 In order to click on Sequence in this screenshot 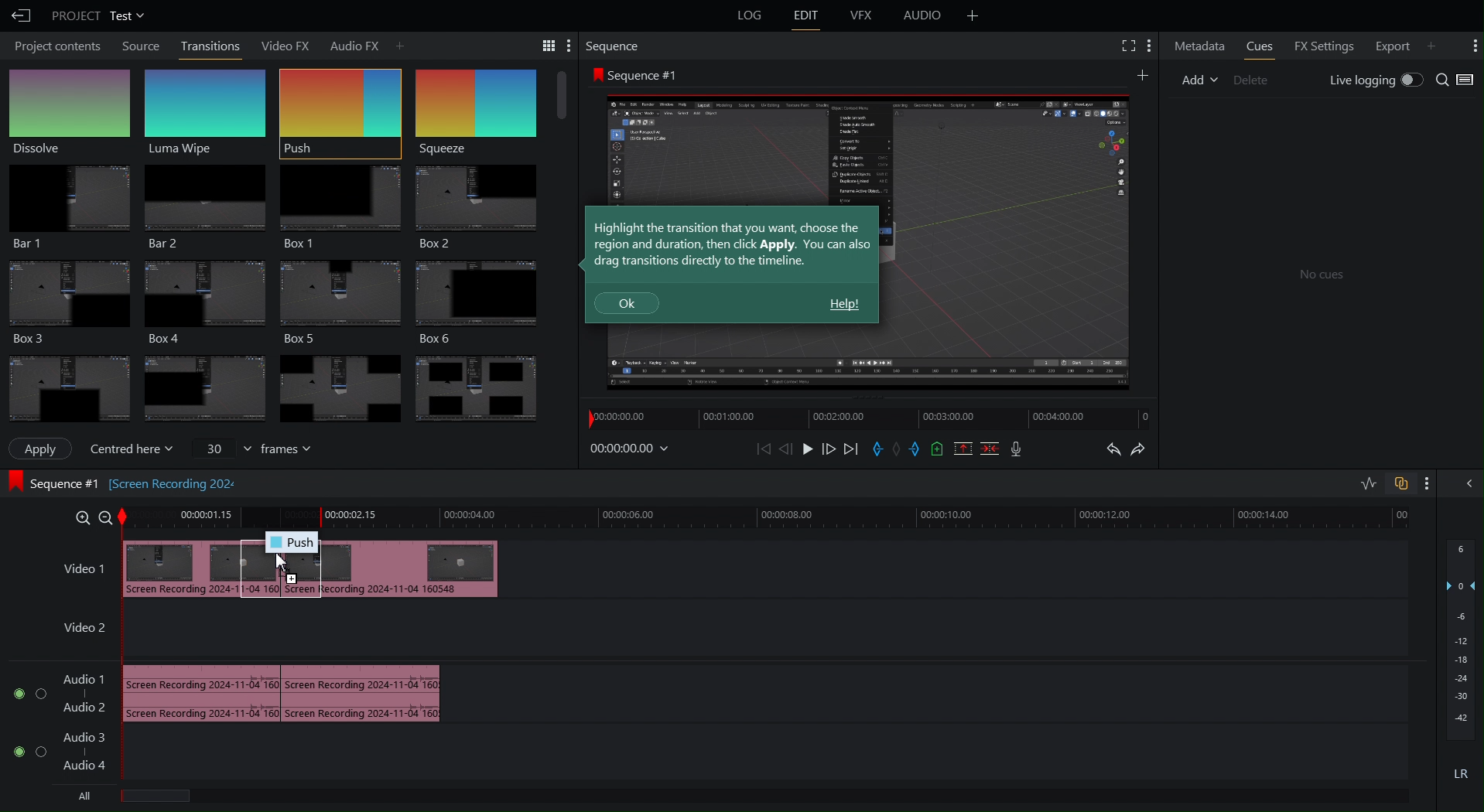, I will do `click(614, 46)`.